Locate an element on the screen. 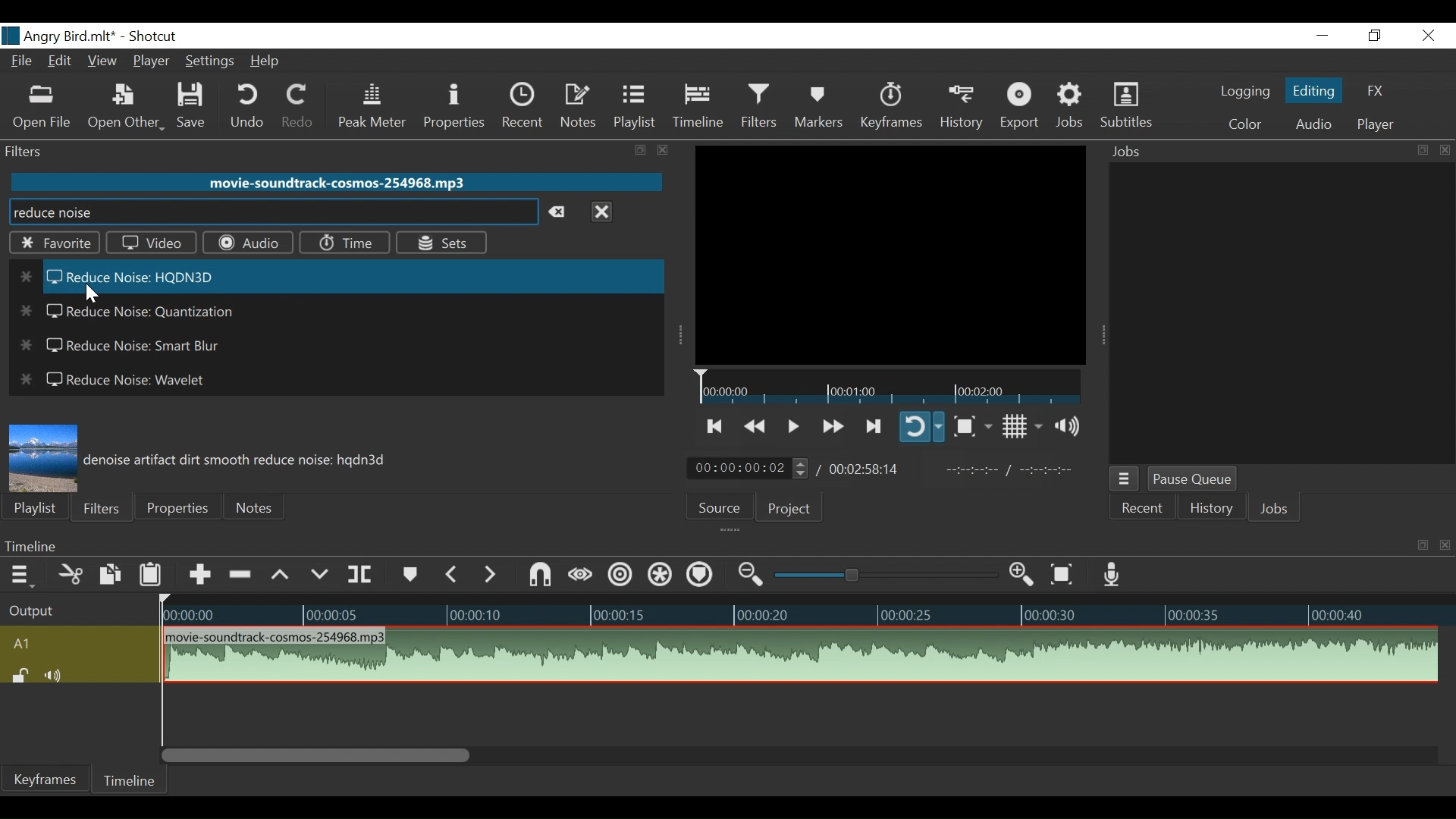 This screenshot has width=1456, height=819. Filters is located at coordinates (99, 509).